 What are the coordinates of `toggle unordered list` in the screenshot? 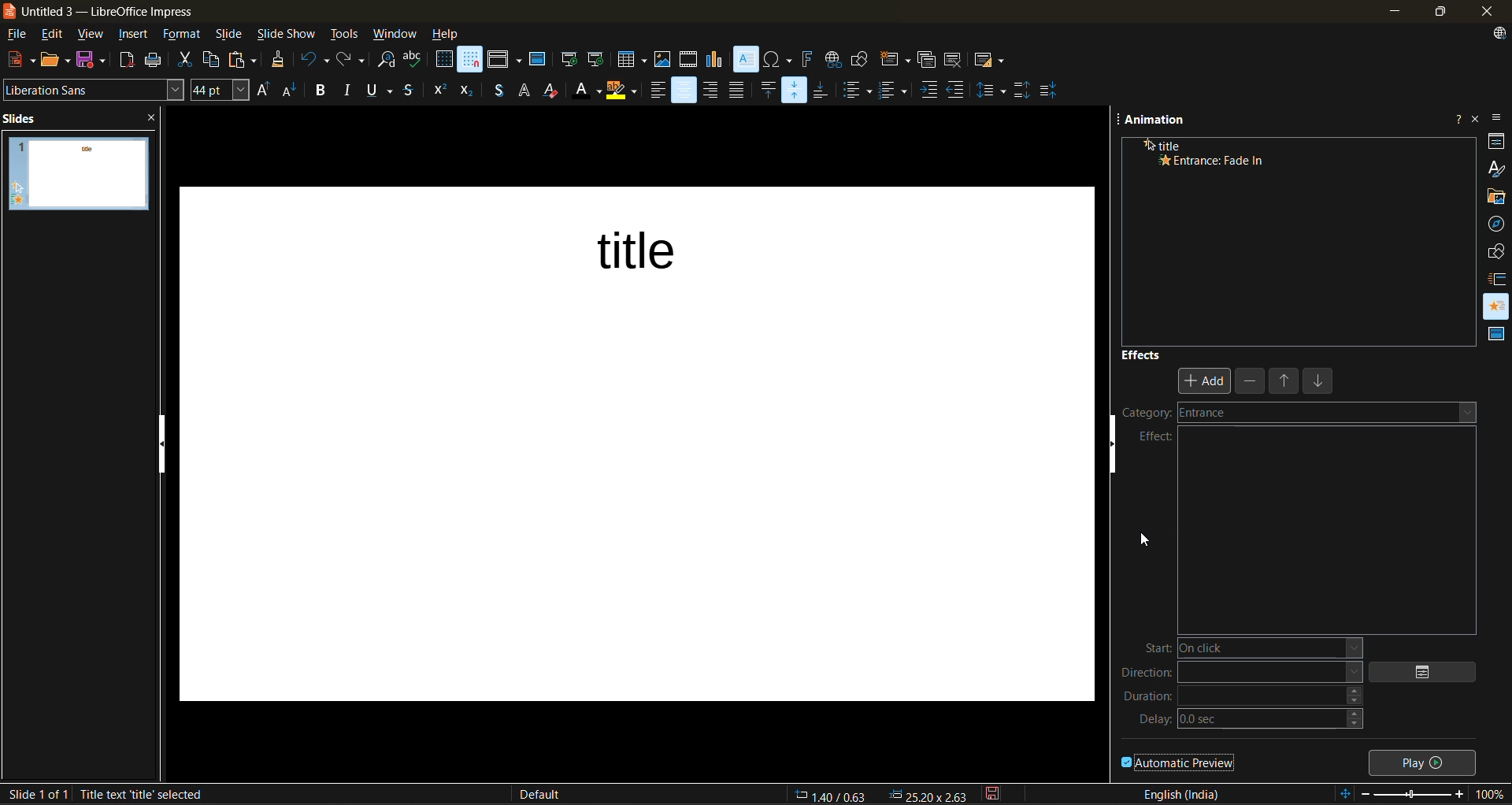 It's located at (861, 91).